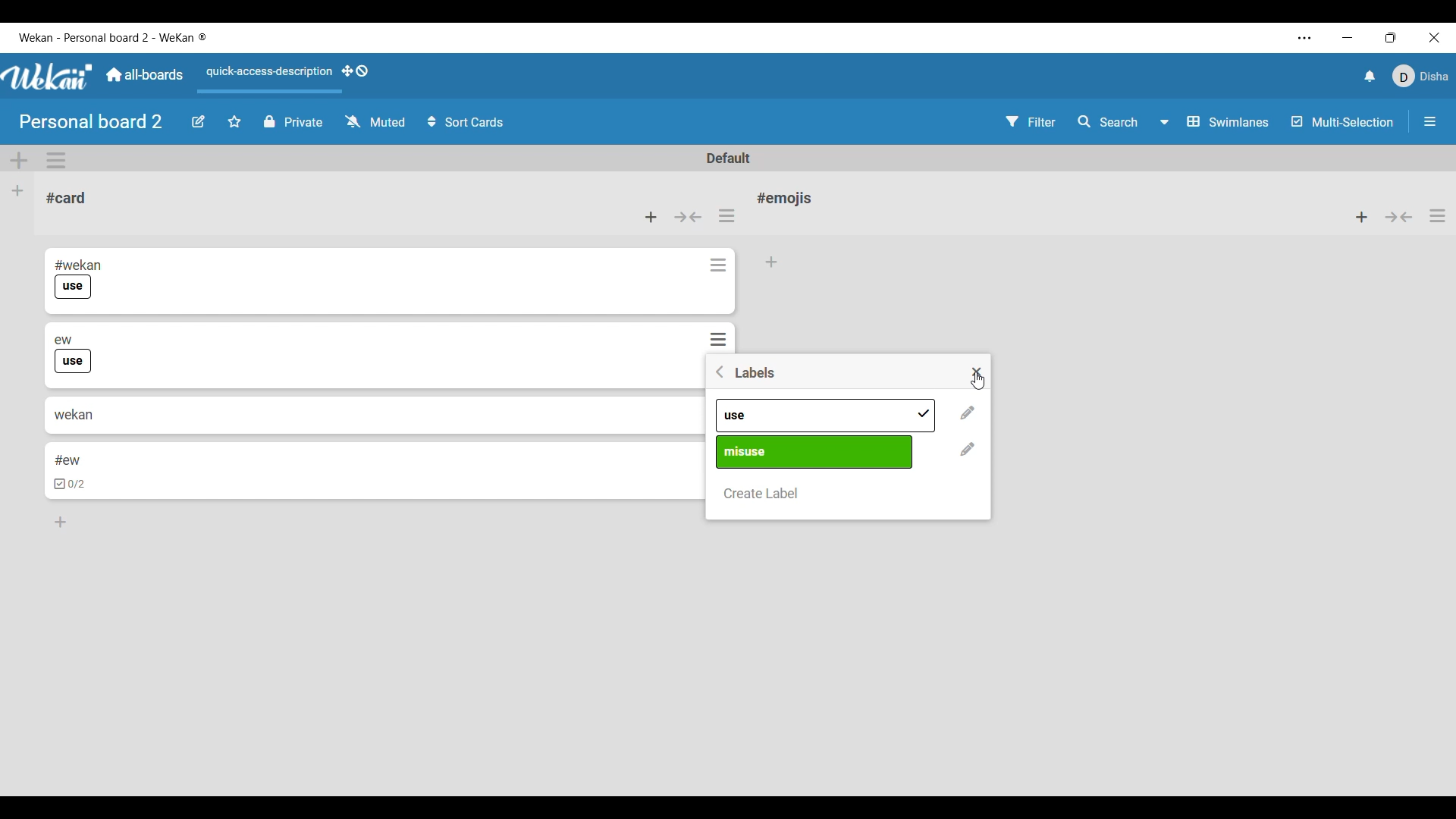 This screenshot has height=819, width=1456. Describe the element at coordinates (73, 413) in the screenshot. I see `wekan` at that location.